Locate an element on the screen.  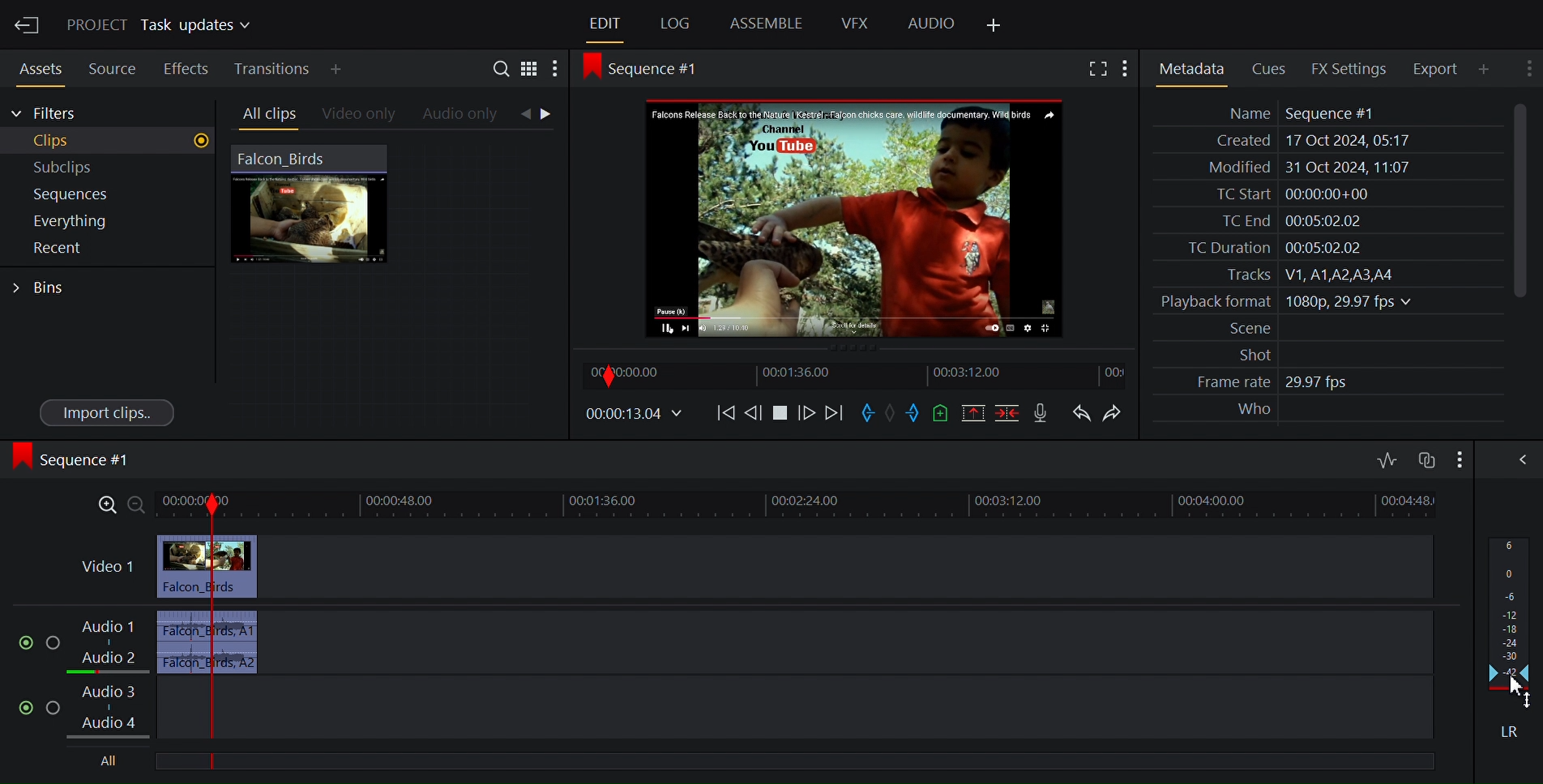
Vertical Scrollbar is located at coordinates (1515, 201).